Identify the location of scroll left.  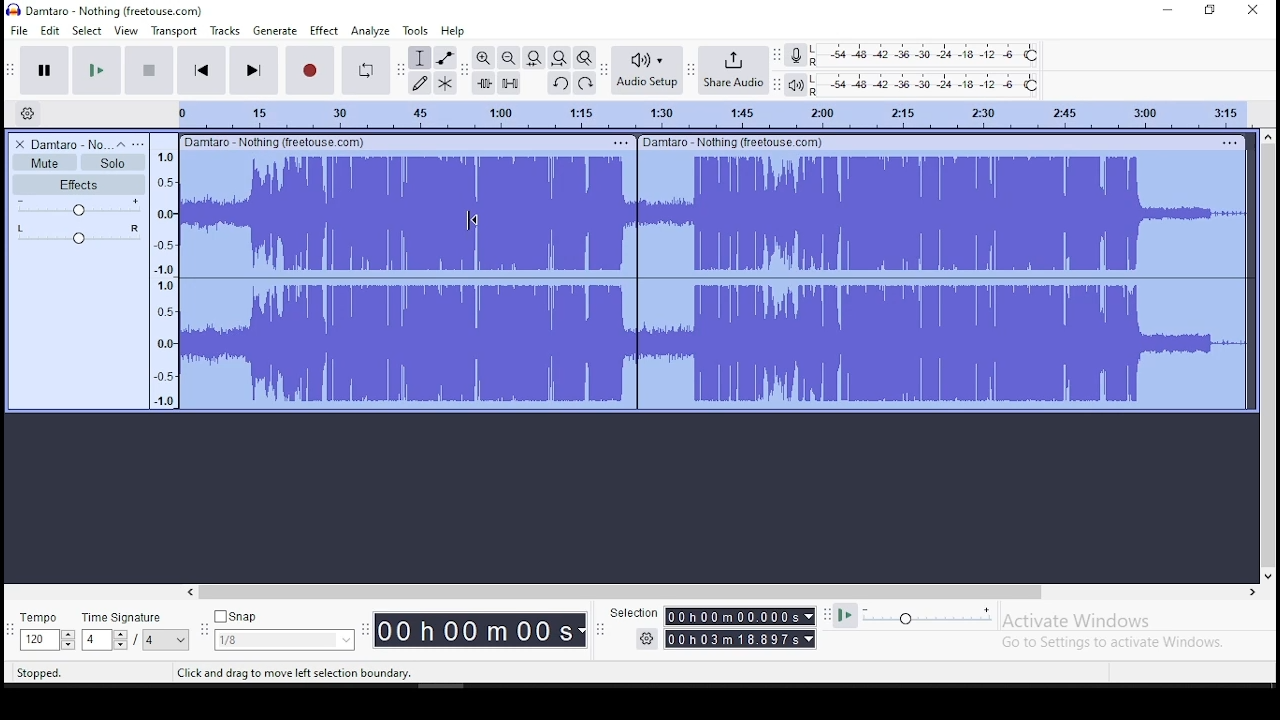
(189, 592).